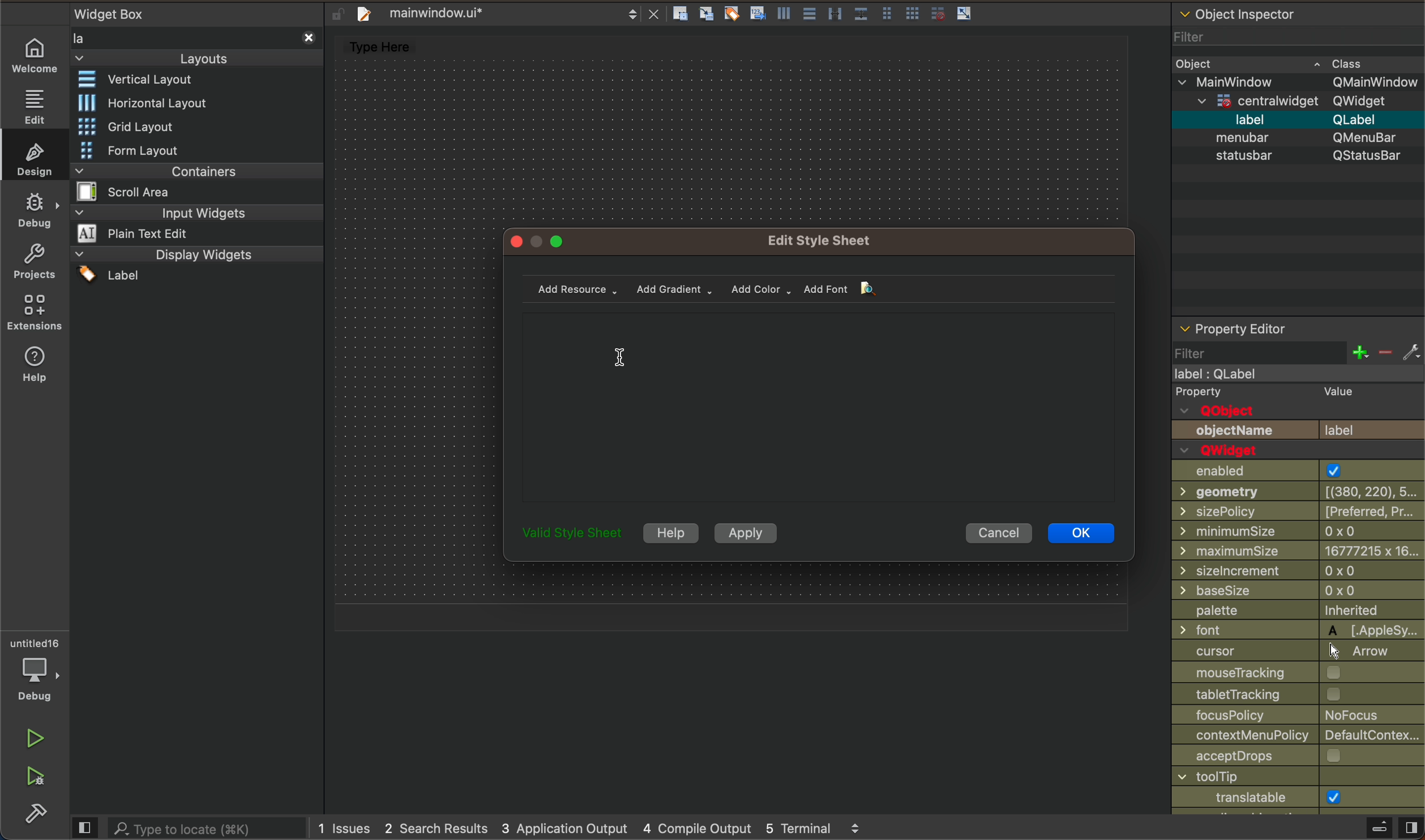 This screenshot has height=840, width=1425. Describe the element at coordinates (1294, 738) in the screenshot. I see `contextual` at that location.